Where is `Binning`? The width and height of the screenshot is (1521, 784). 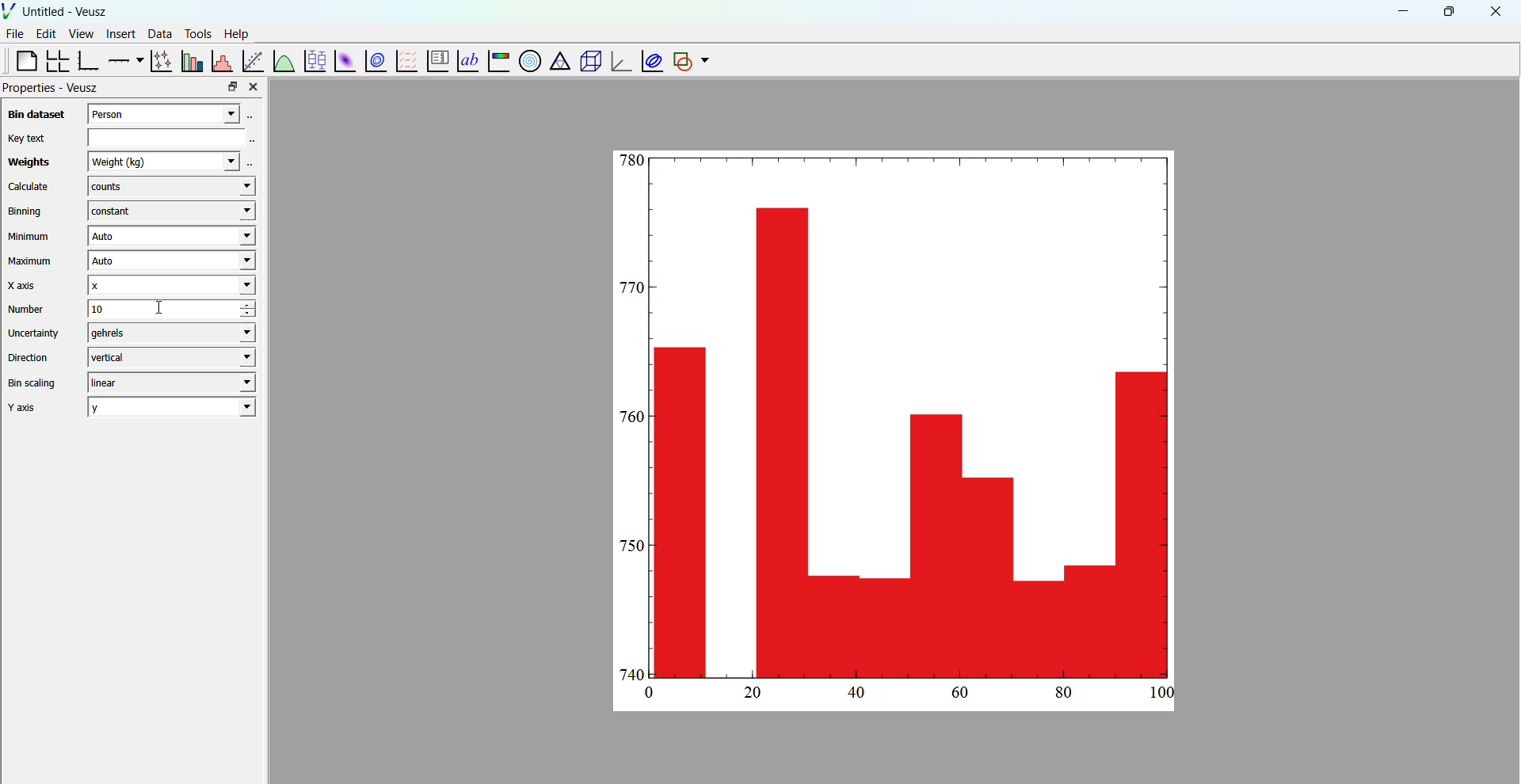 Binning is located at coordinates (28, 211).